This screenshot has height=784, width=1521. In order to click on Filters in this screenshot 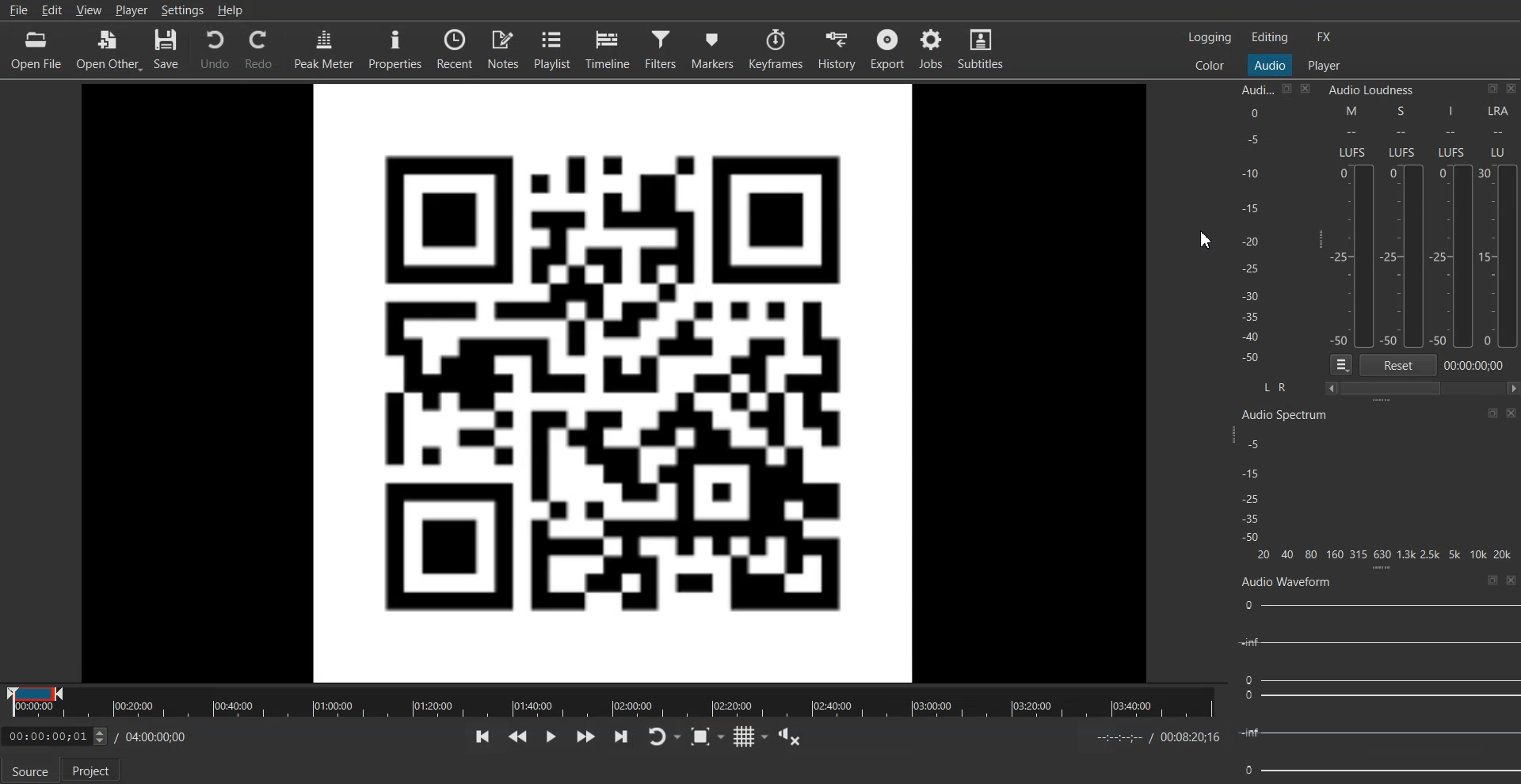, I will do `click(661, 50)`.